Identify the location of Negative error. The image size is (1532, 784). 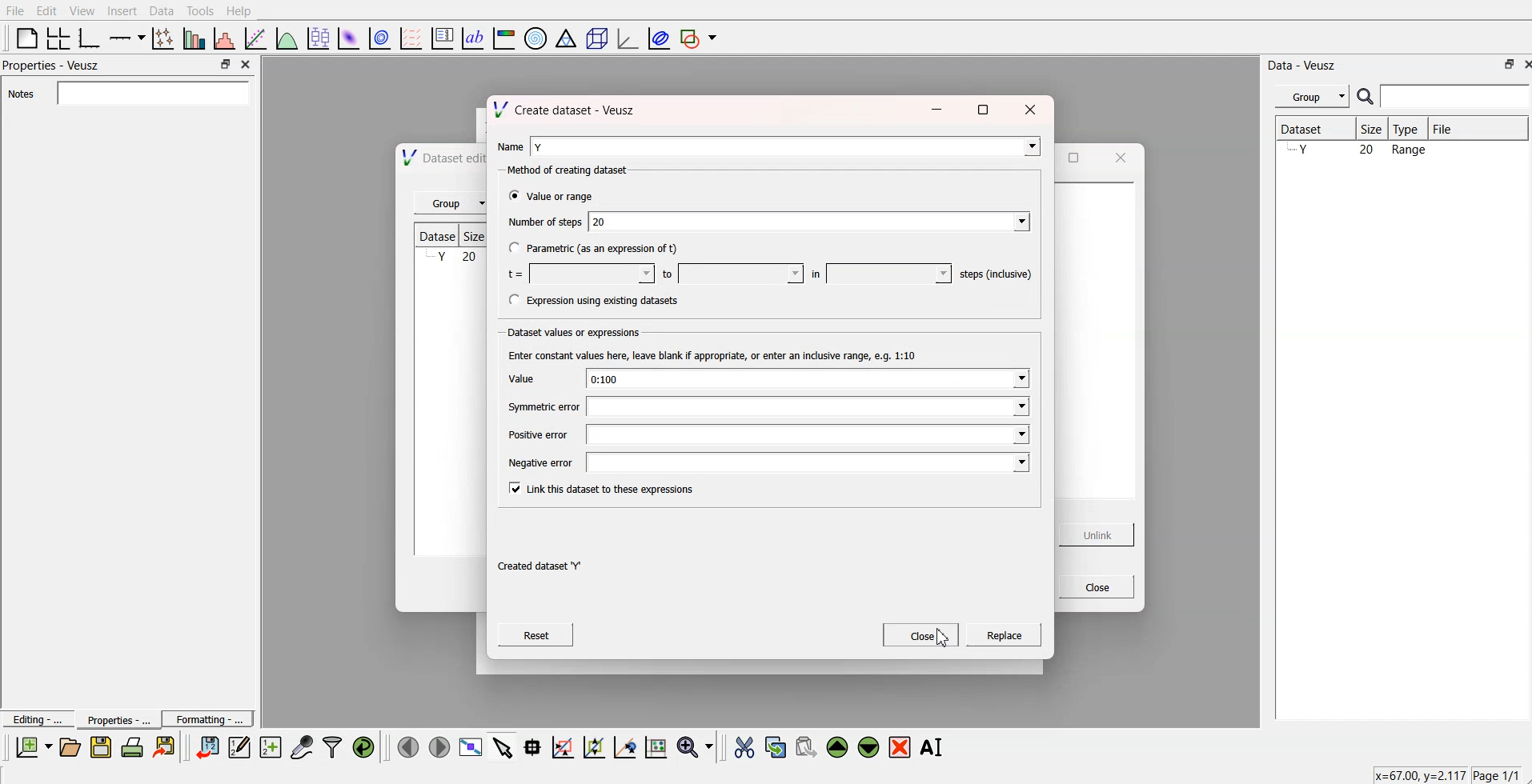
(536, 462).